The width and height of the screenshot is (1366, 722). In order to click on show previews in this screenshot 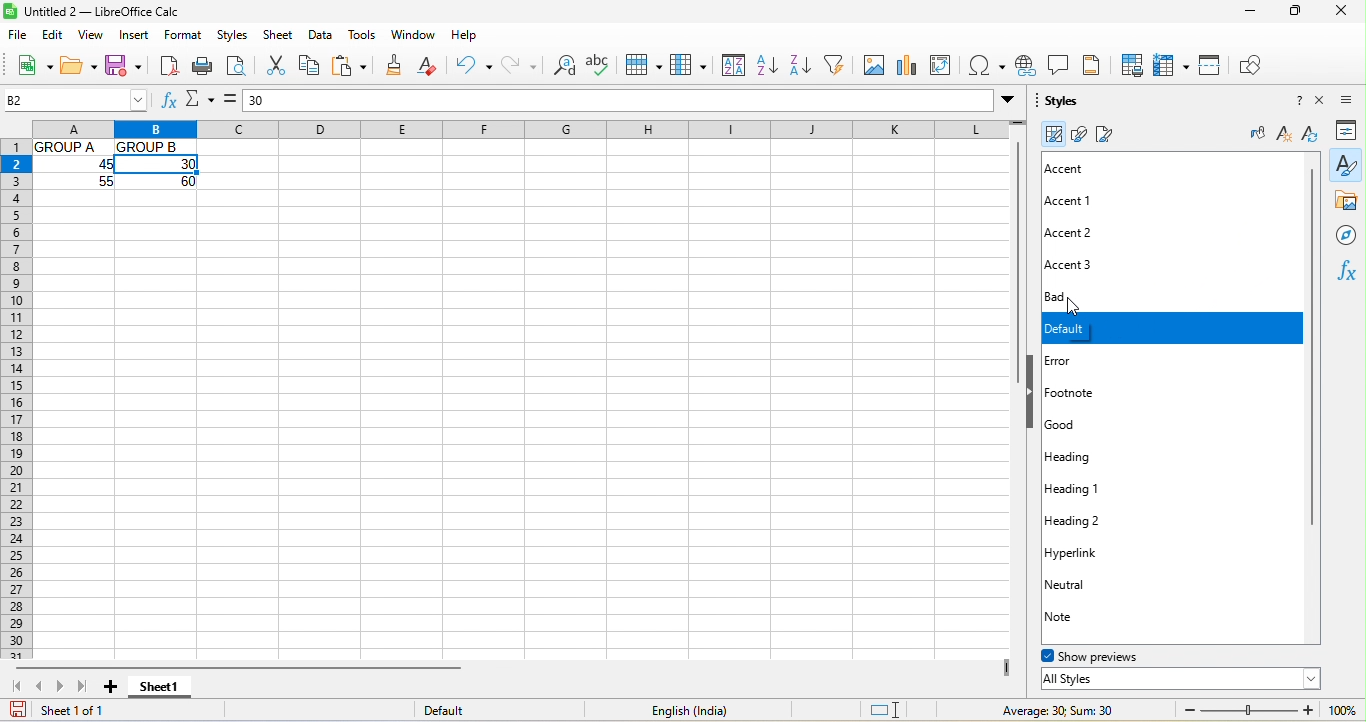, I will do `click(1109, 655)`.